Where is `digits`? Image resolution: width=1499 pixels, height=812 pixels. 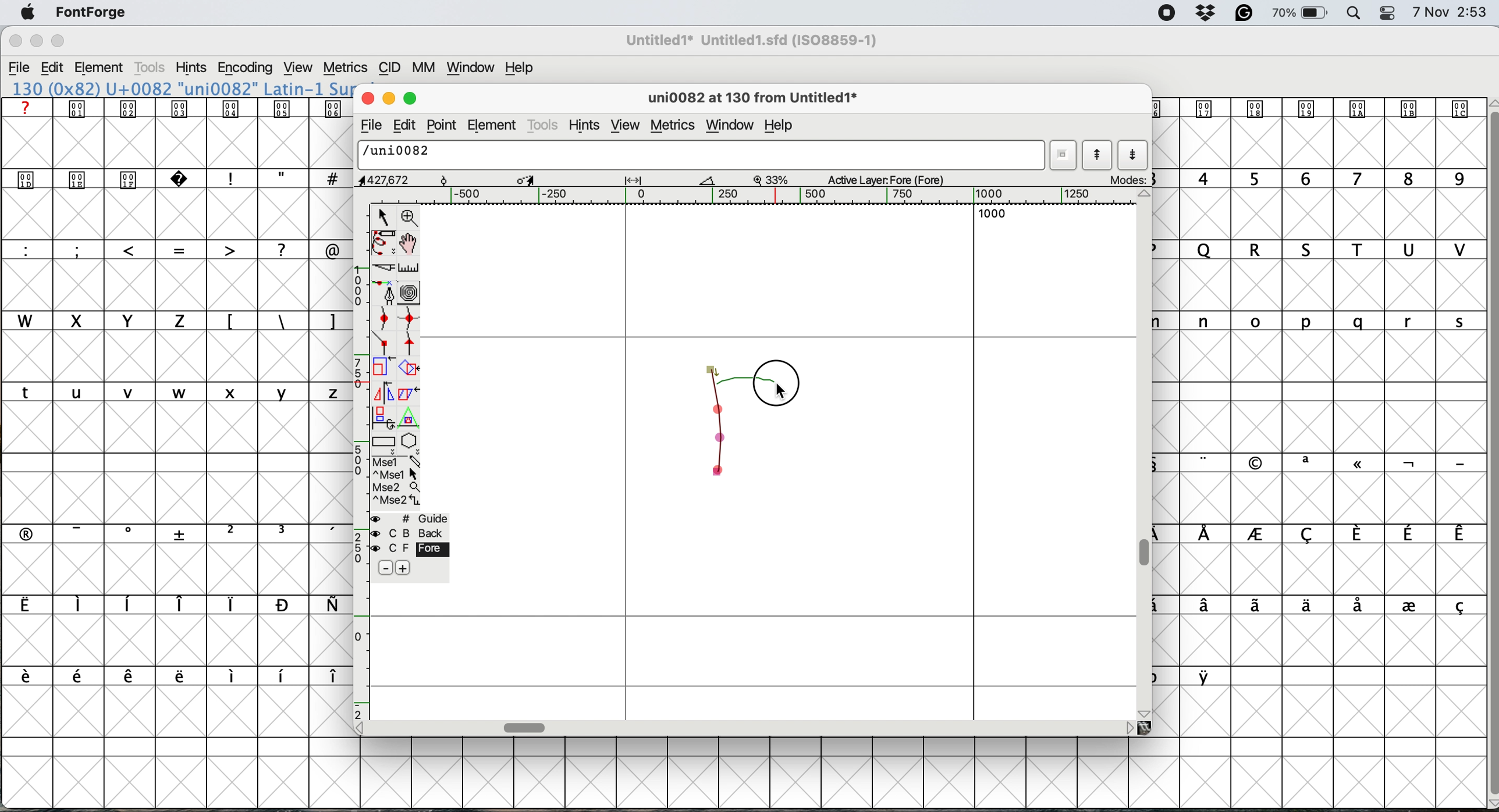 digits is located at coordinates (1315, 180).